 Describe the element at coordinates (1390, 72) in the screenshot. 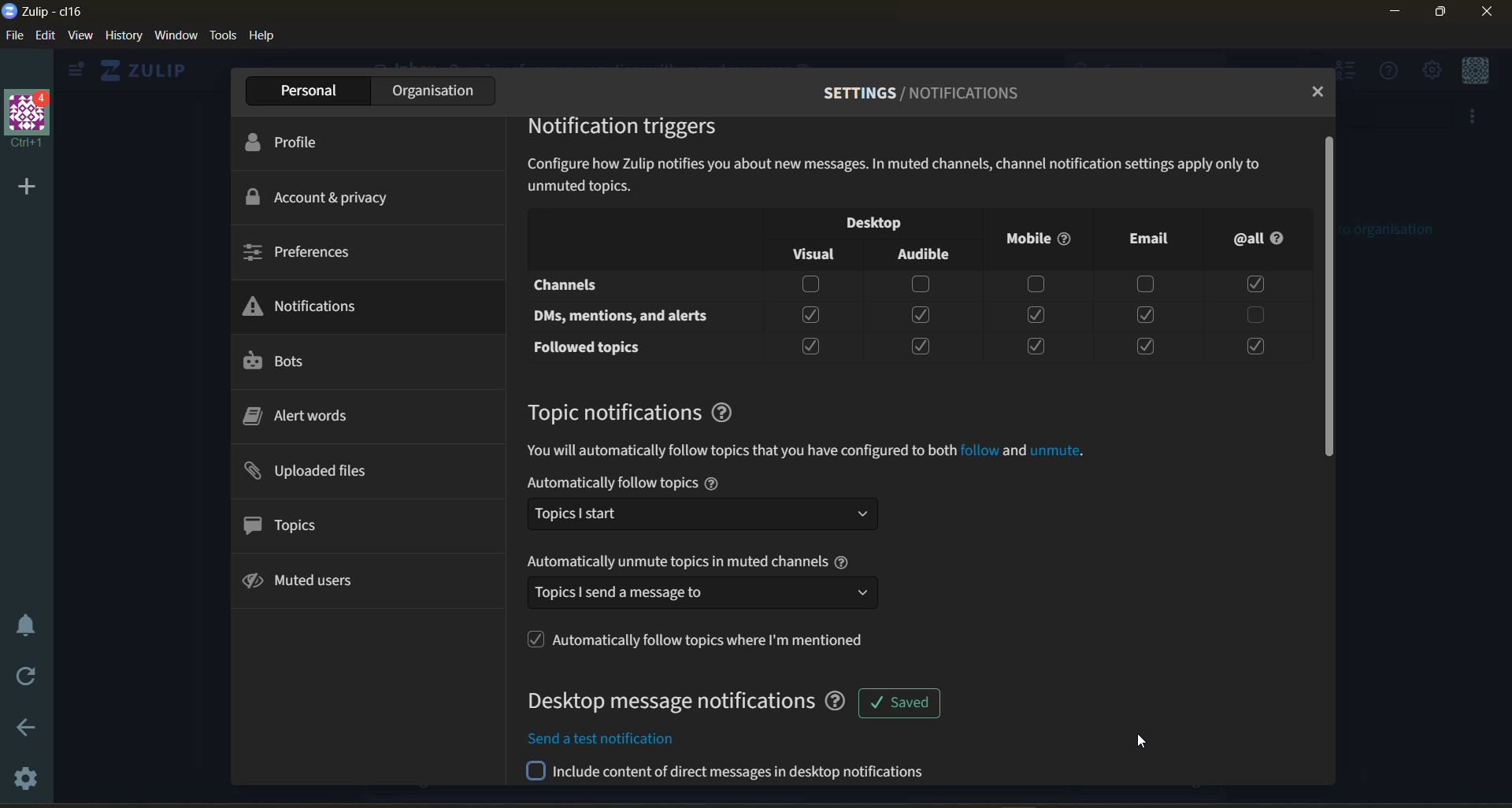

I see `help menu` at that location.